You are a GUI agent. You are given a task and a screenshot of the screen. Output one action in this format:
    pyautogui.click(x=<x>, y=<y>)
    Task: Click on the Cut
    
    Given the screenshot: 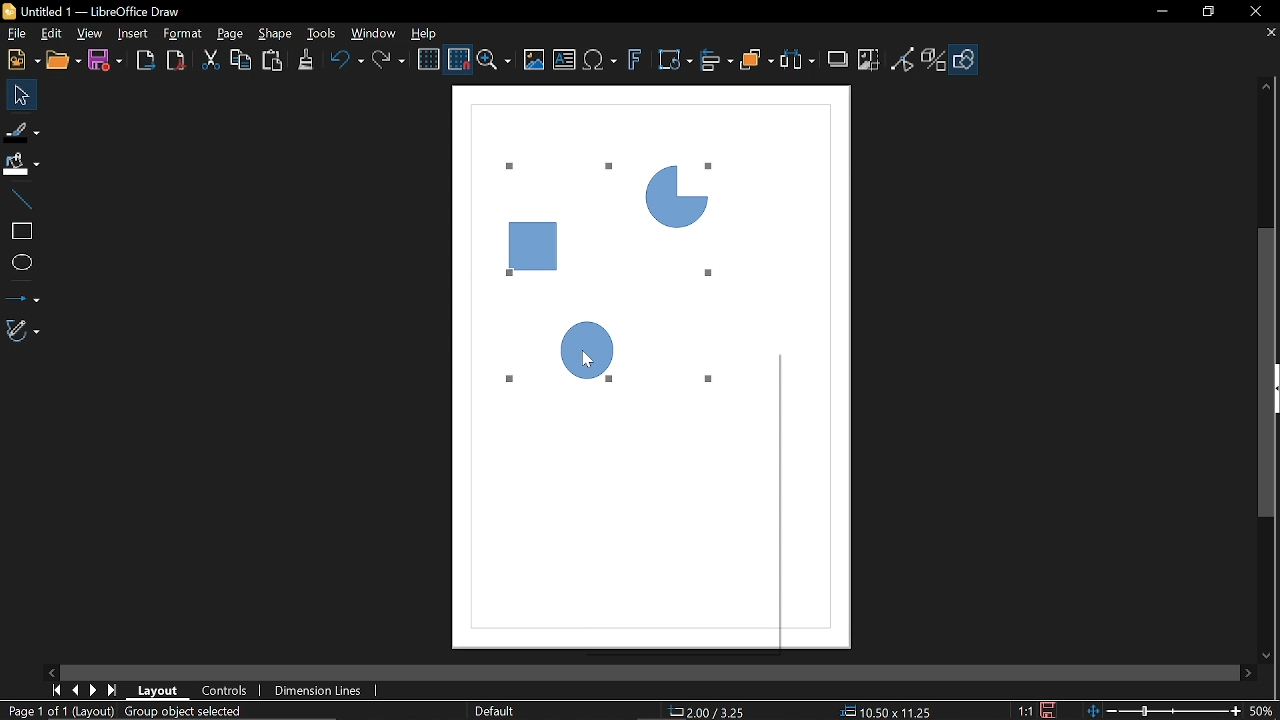 What is the action you would take?
    pyautogui.click(x=210, y=60)
    